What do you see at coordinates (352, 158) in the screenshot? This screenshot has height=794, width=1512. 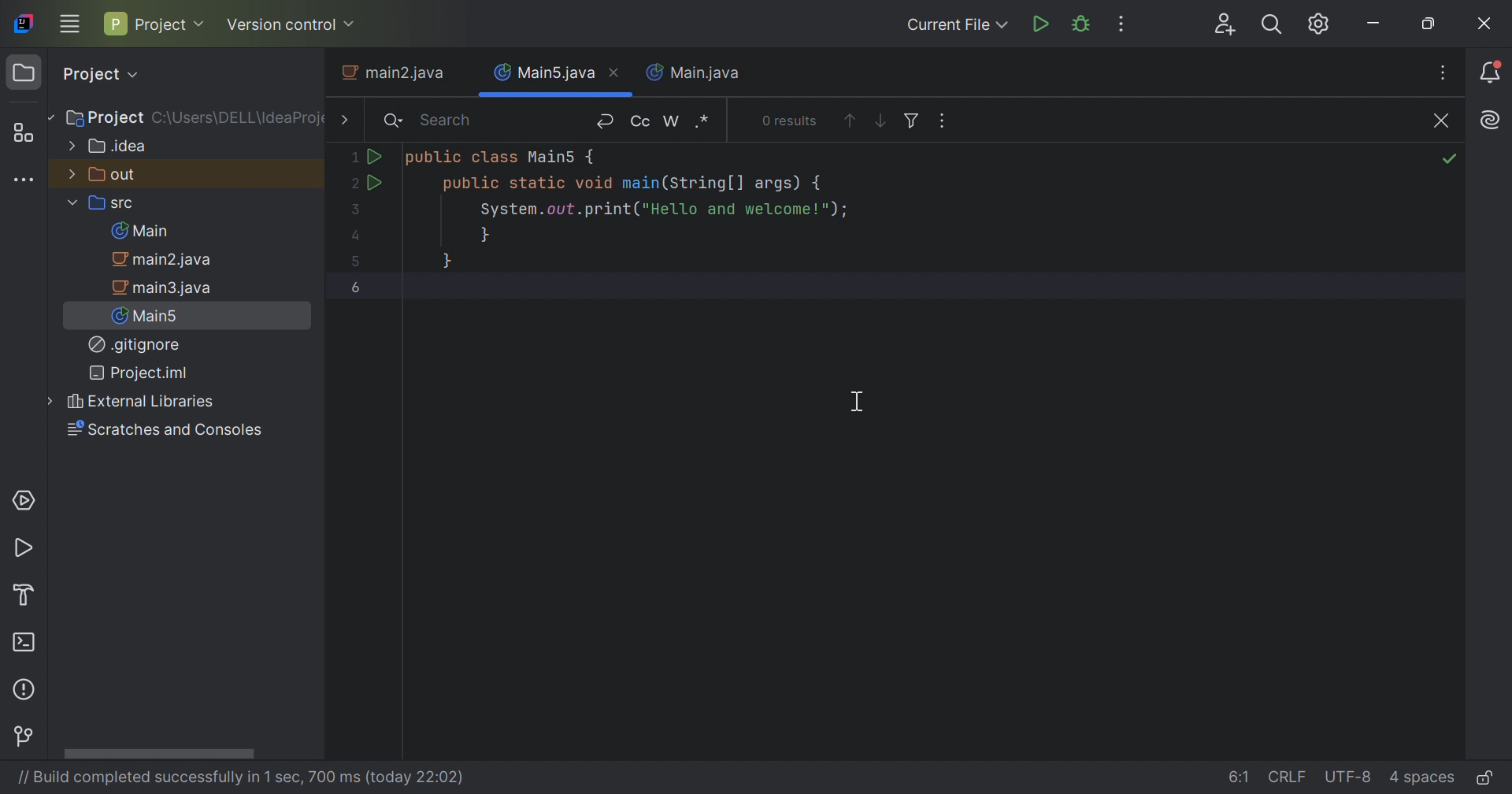 I see `` at bounding box center [352, 158].